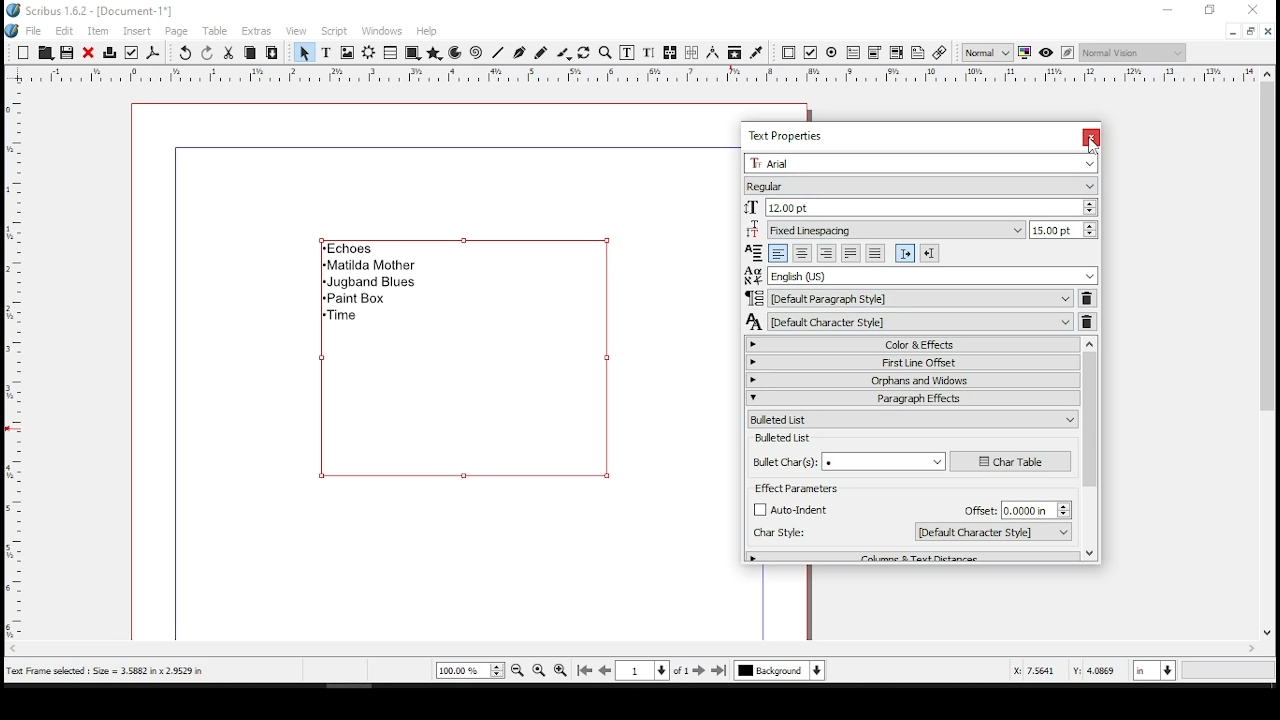 The image size is (1280, 720). I want to click on undo, so click(186, 53).